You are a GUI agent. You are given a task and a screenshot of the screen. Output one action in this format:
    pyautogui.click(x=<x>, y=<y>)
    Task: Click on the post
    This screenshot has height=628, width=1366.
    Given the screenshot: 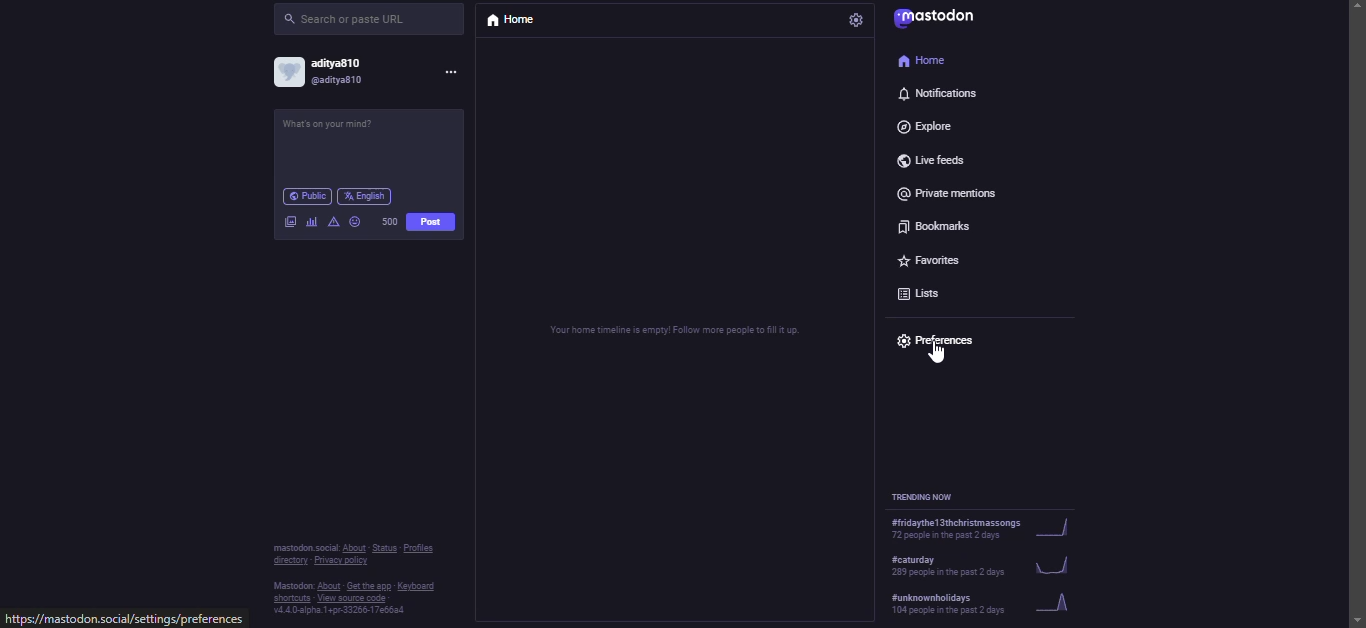 What is the action you would take?
    pyautogui.click(x=433, y=222)
    